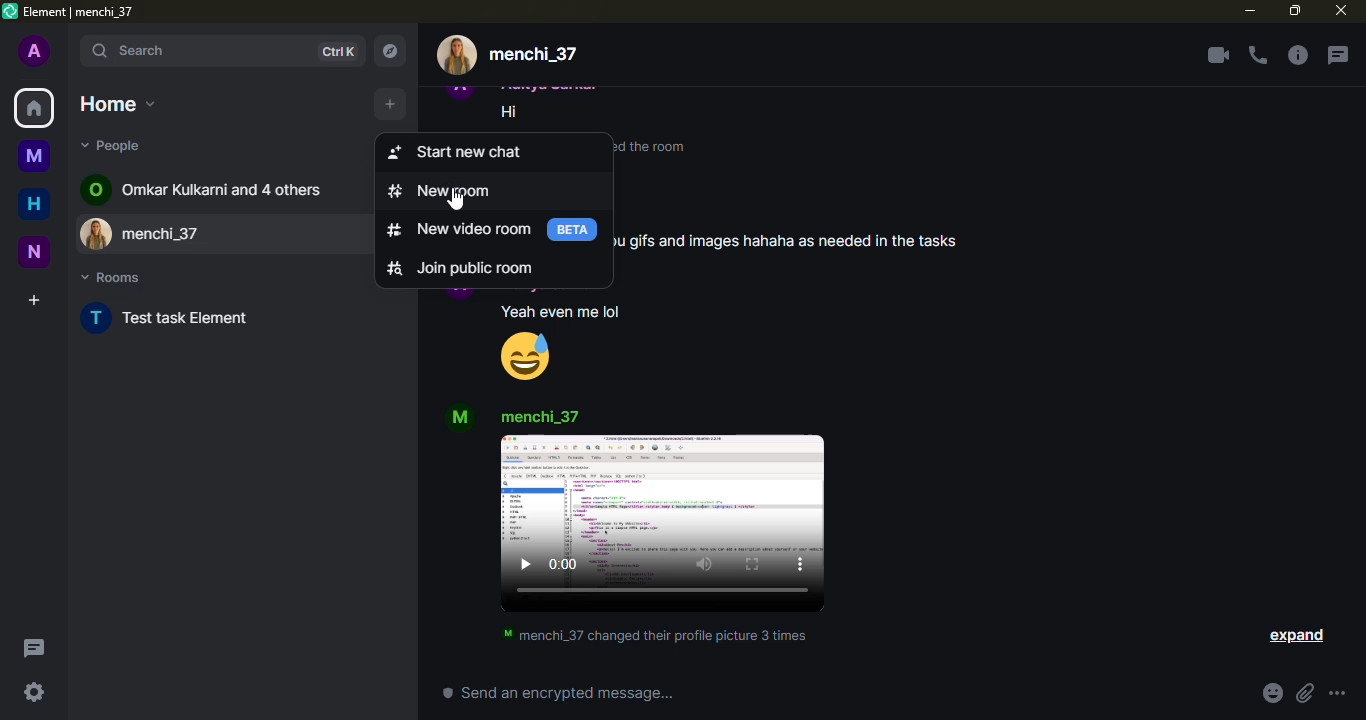 This screenshot has width=1366, height=720. Describe the element at coordinates (1337, 55) in the screenshot. I see `threads` at that location.